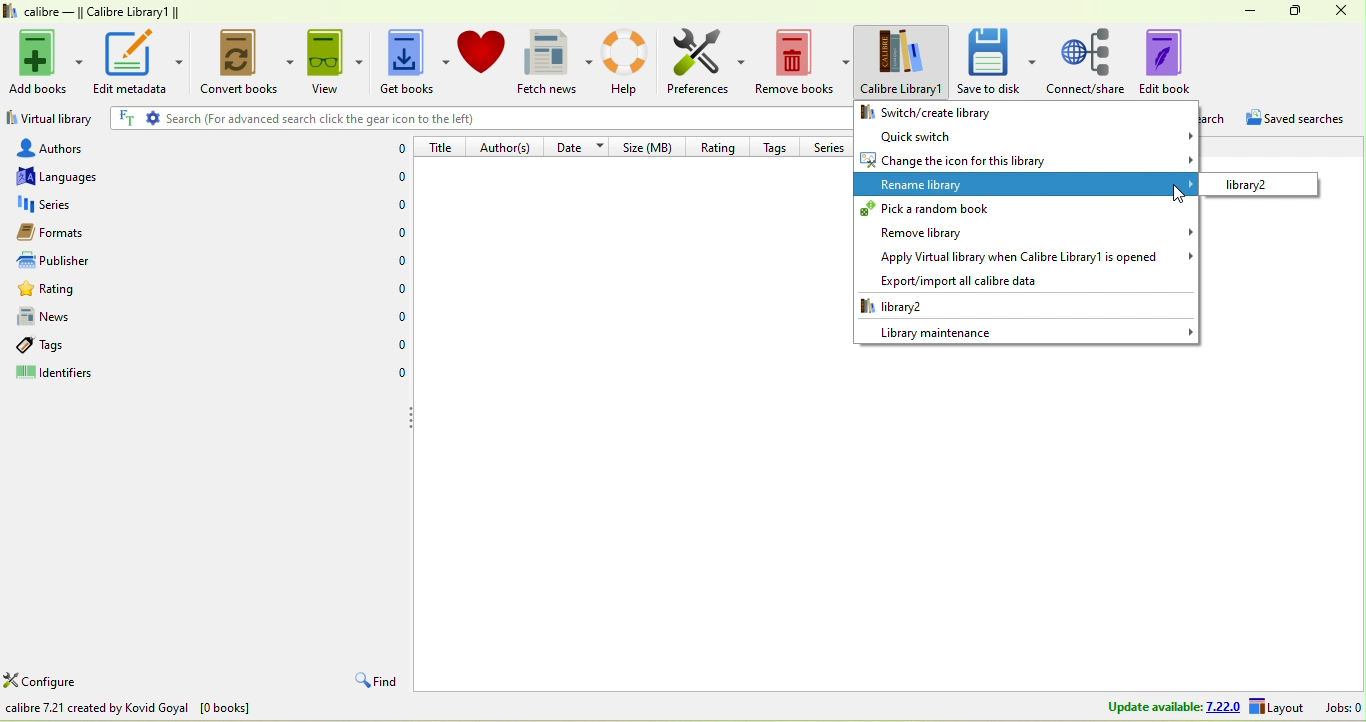 This screenshot has width=1366, height=722. What do you see at coordinates (1243, 9) in the screenshot?
I see `minimize` at bounding box center [1243, 9].